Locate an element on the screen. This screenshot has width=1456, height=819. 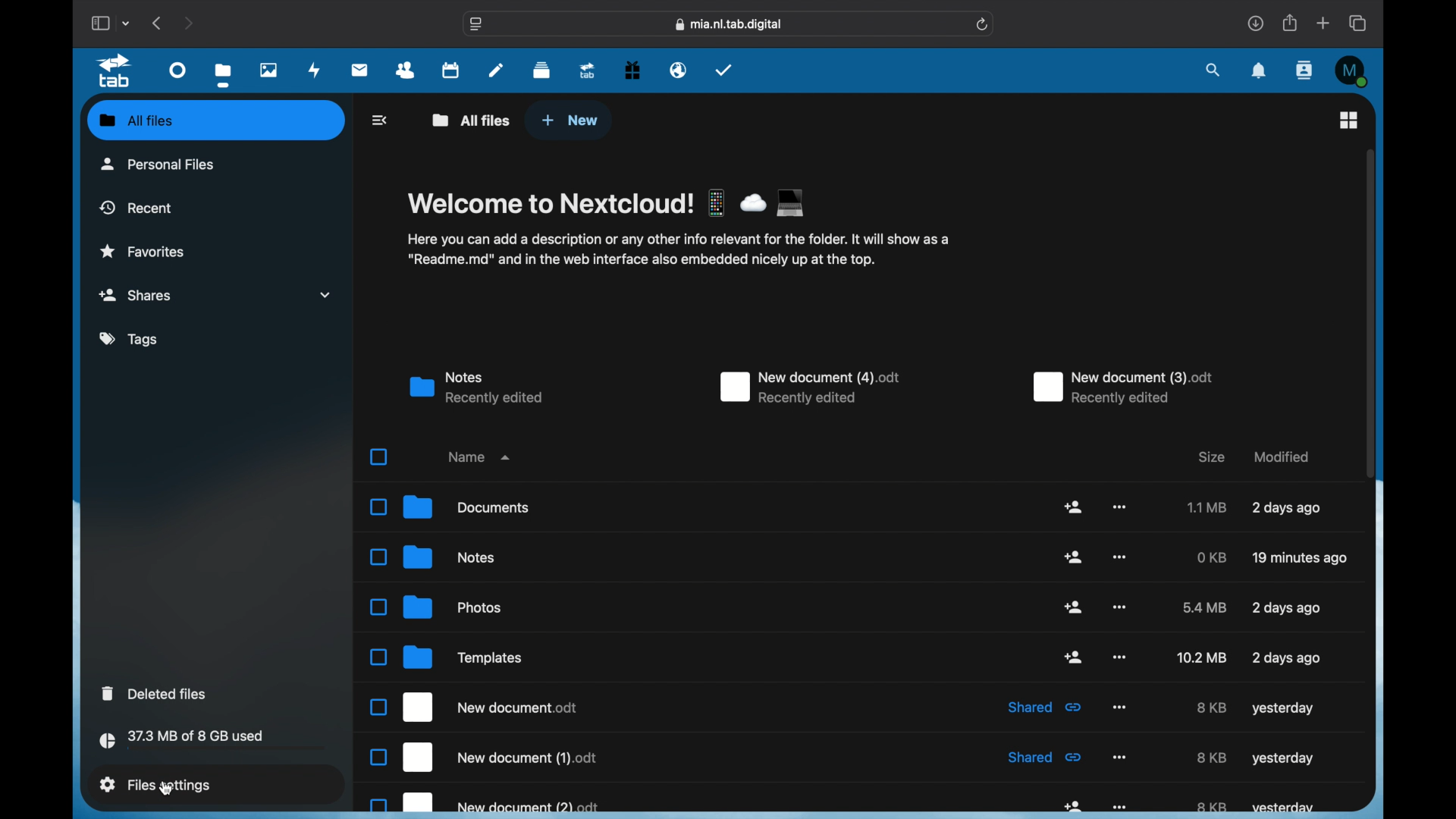
new document is located at coordinates (475, 707).